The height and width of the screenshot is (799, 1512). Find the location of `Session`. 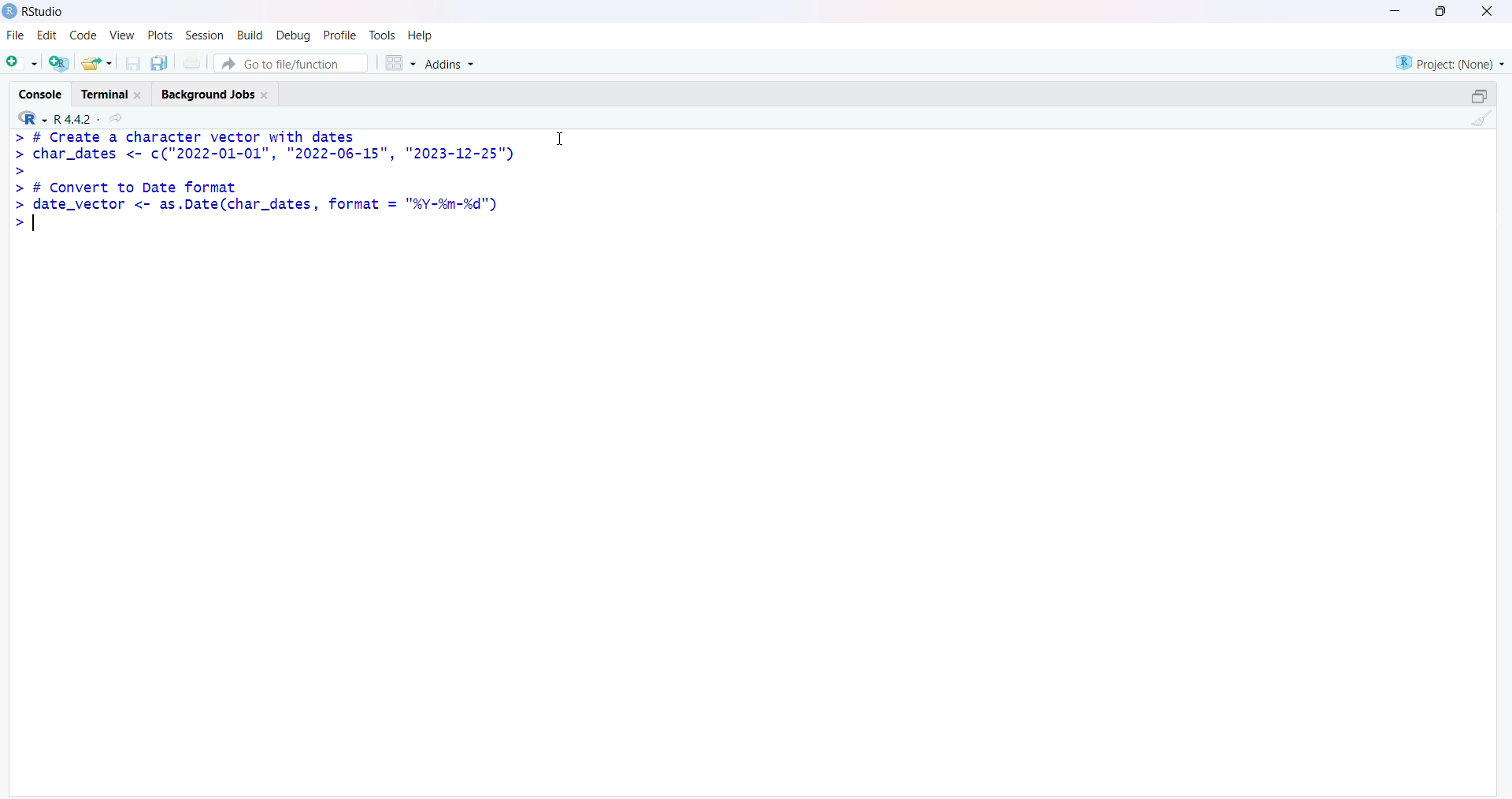

Session is located at coordinates (202, 36).